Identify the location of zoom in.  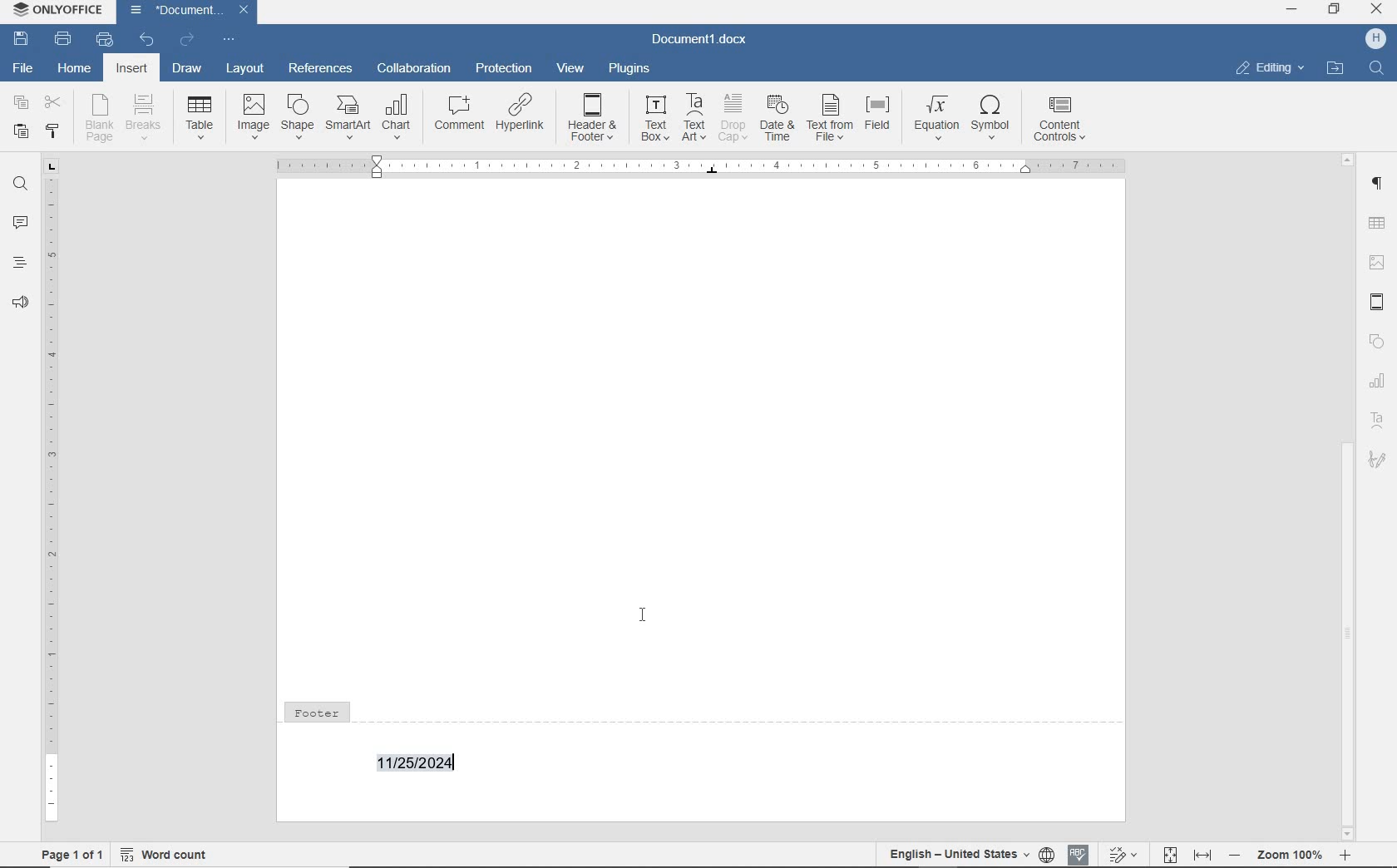
(1347, 856).